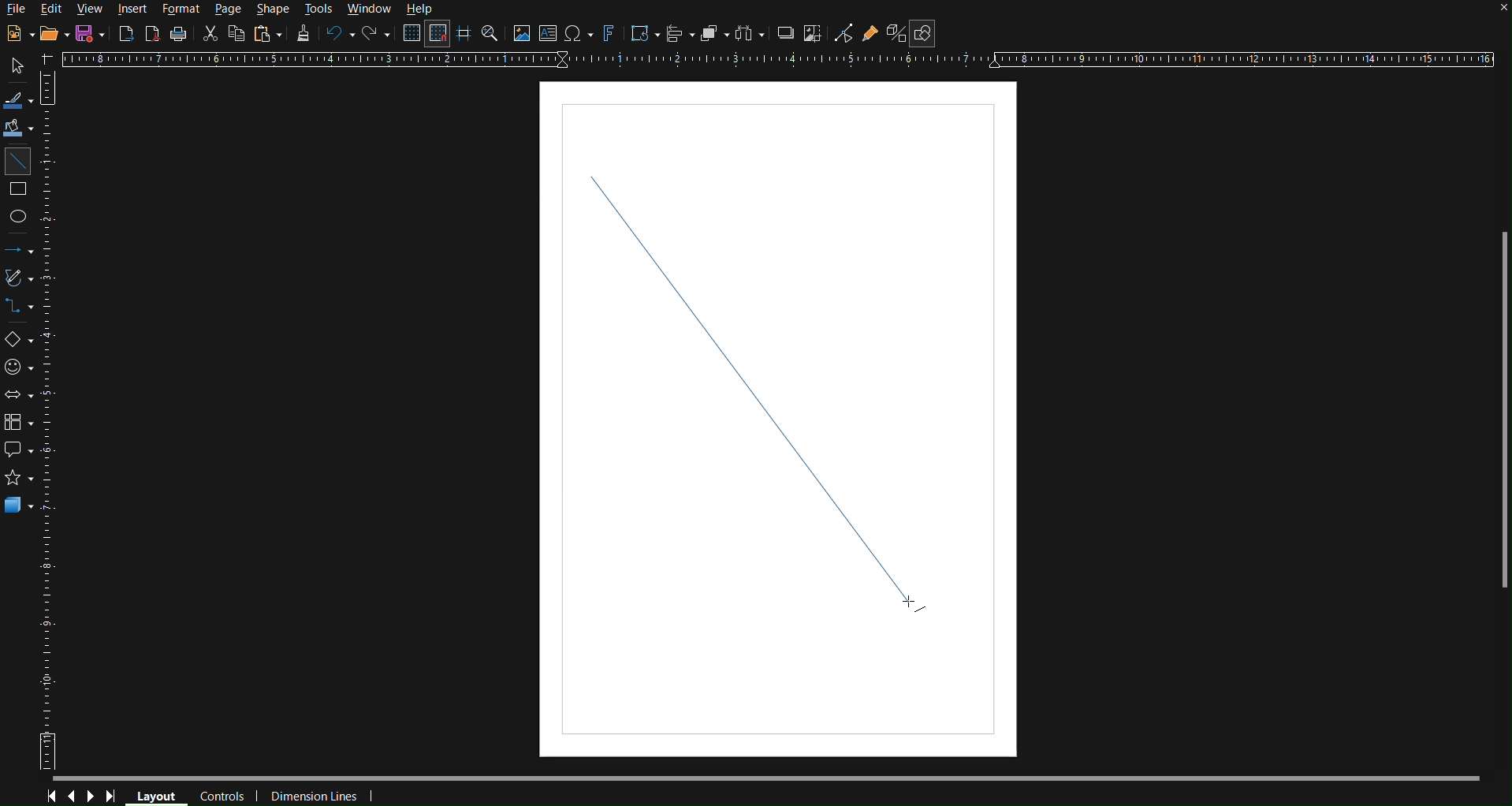 The height and width of the screenshot is (806, 1512). What do you see at coordinates (610, 33) in the screenshot?
I see `Fontworks` at bounding box center [610, 33].